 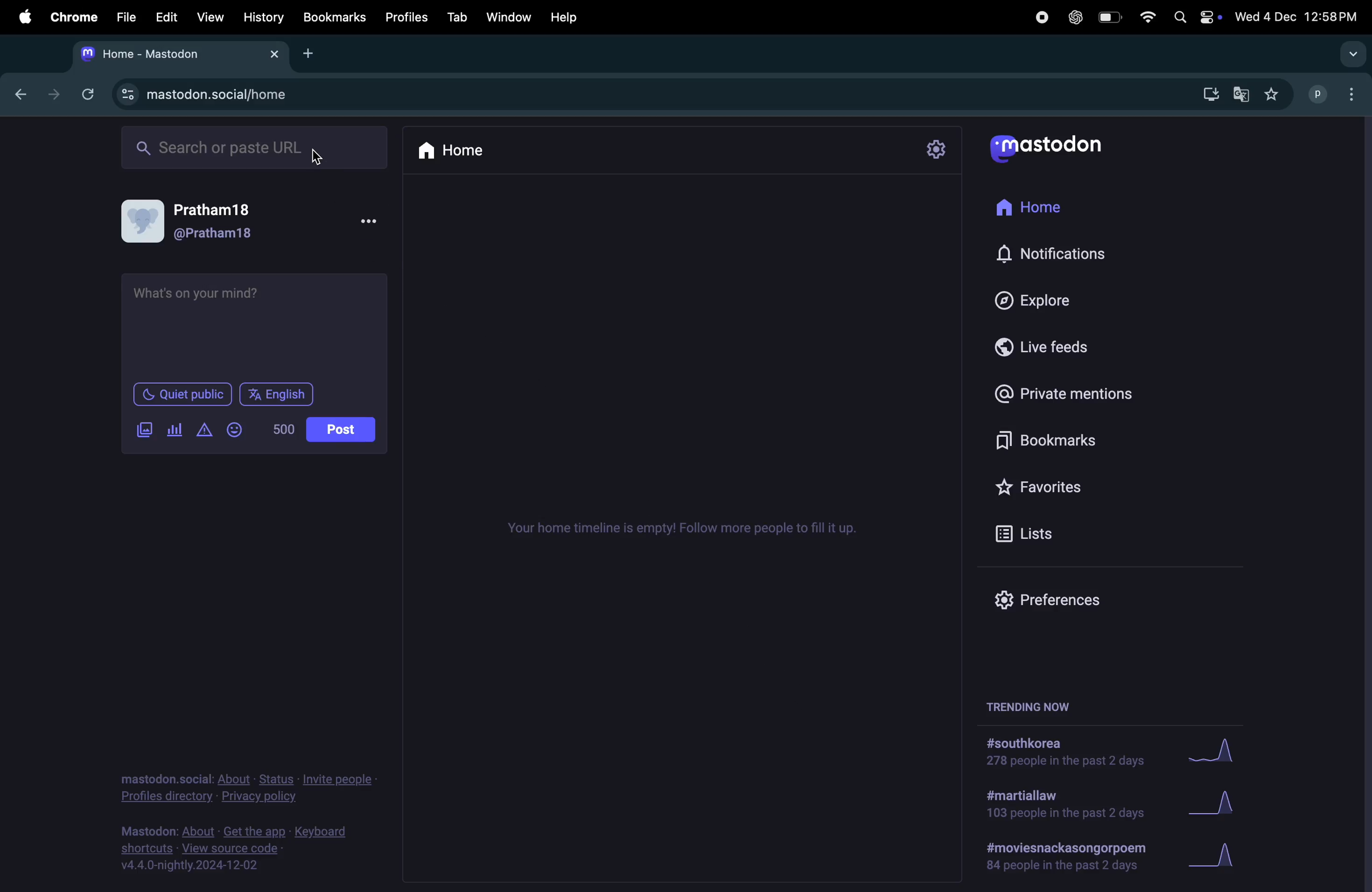 What do you see at coordinates (1220, 860) in the screenshot?
I see `grapj` at bounding box center [1220, 860].